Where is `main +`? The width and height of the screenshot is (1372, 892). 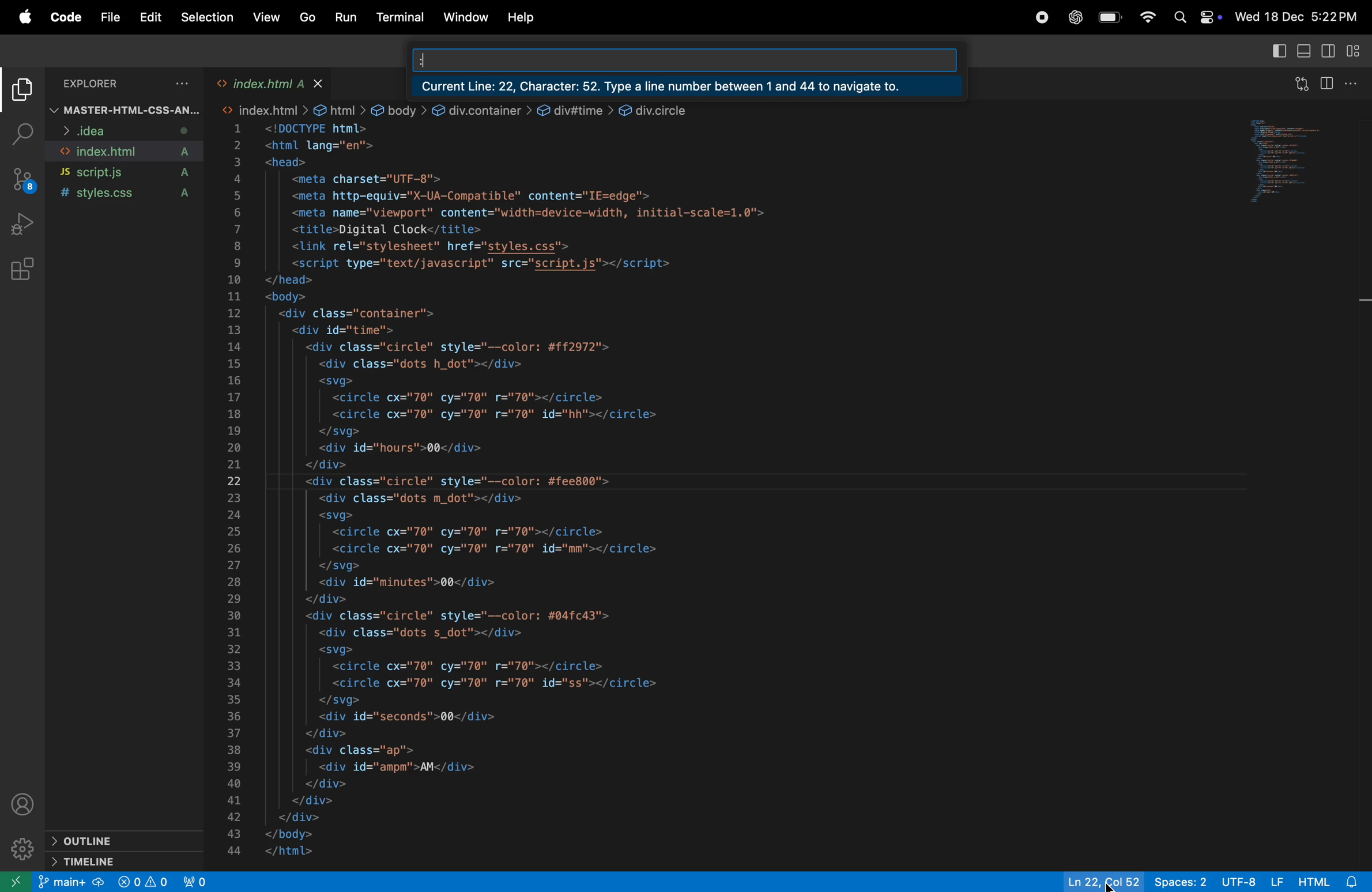
main + is located at coordinates (71, 882).